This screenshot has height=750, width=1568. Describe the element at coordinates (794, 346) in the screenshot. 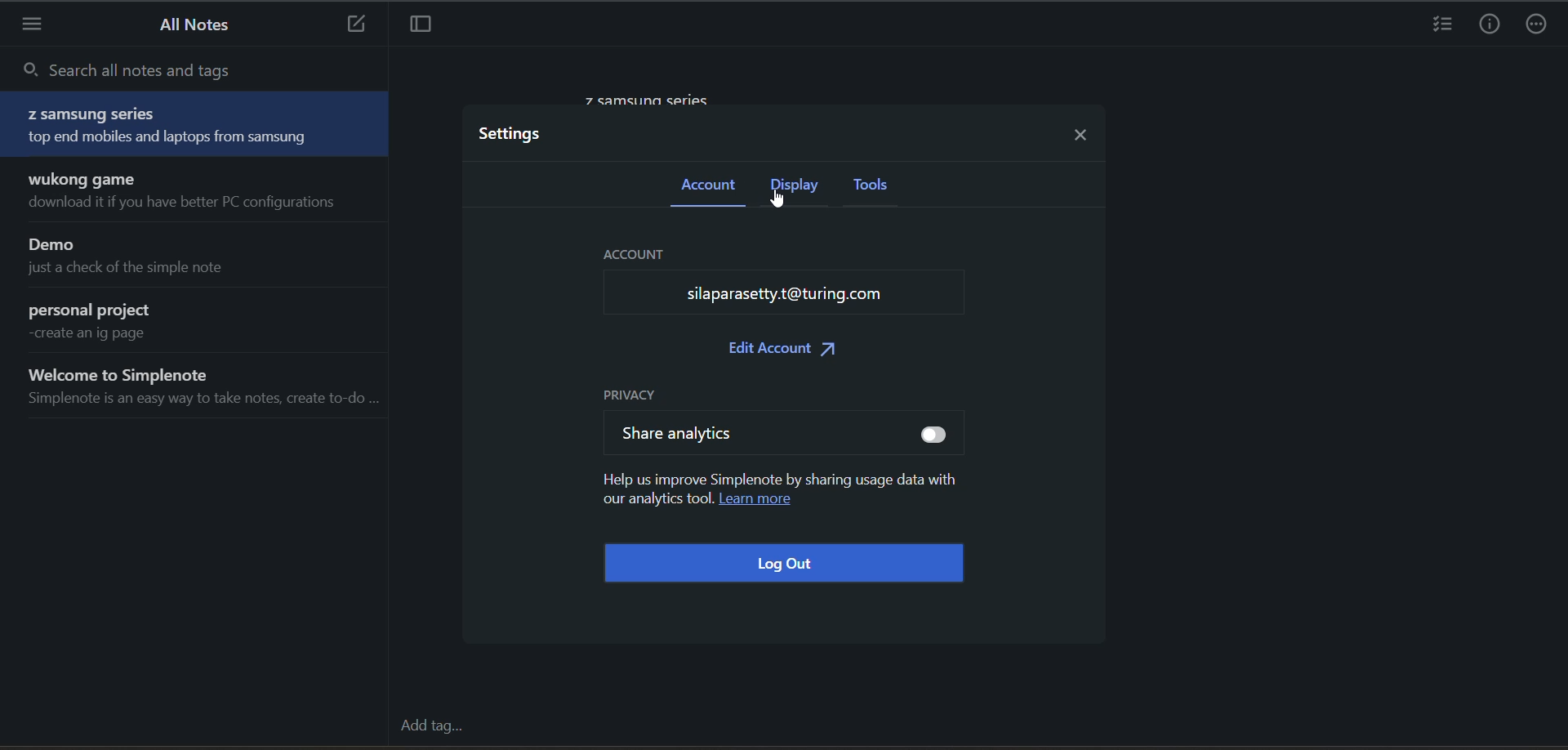

I see `edit account` at that location.